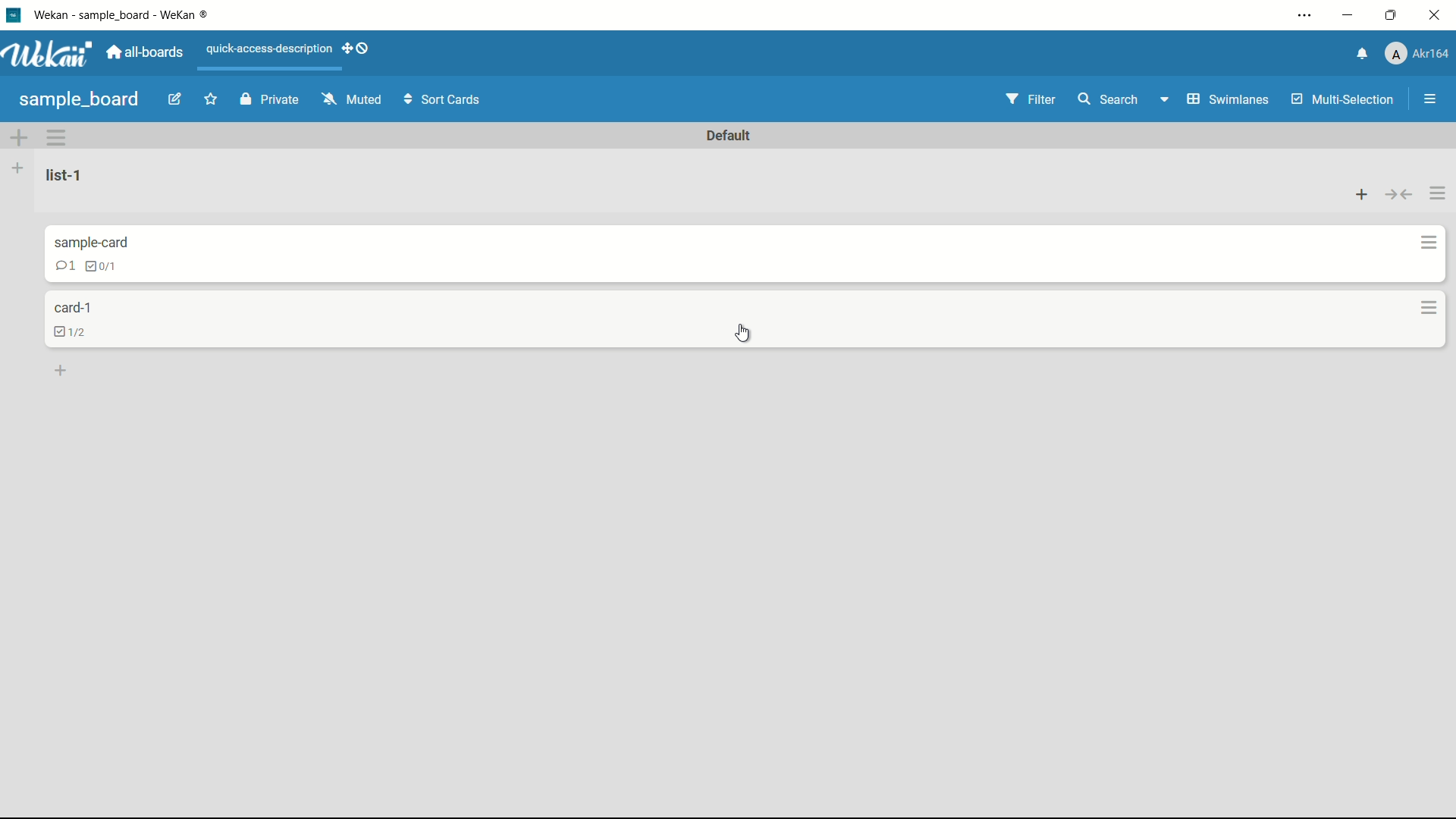 The image size is (1456, 819). Describe the element at coordinates (70, 174) in the screenshot. I see `list name` at that location.